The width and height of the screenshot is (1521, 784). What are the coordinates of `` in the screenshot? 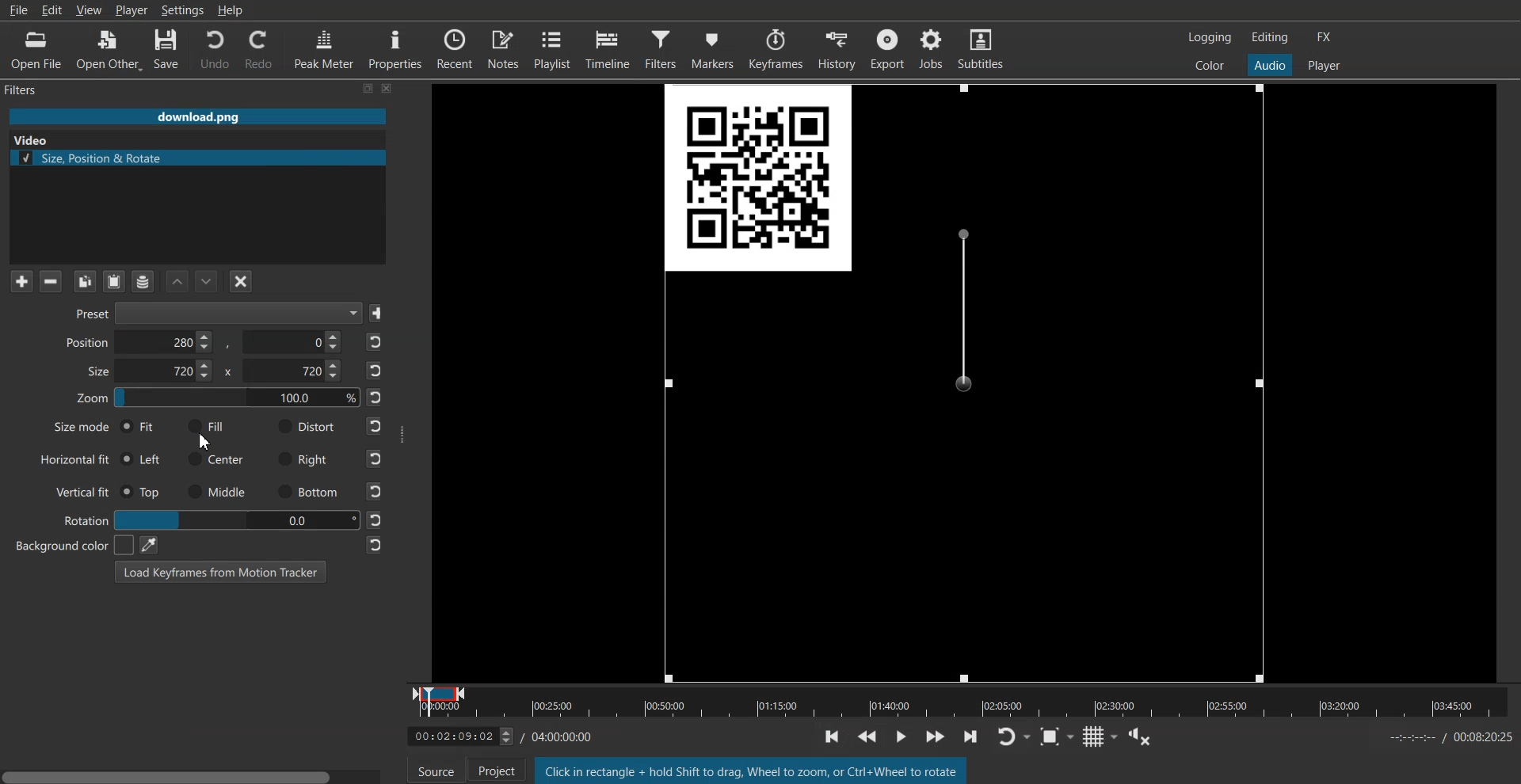 It's located at (932, 48).